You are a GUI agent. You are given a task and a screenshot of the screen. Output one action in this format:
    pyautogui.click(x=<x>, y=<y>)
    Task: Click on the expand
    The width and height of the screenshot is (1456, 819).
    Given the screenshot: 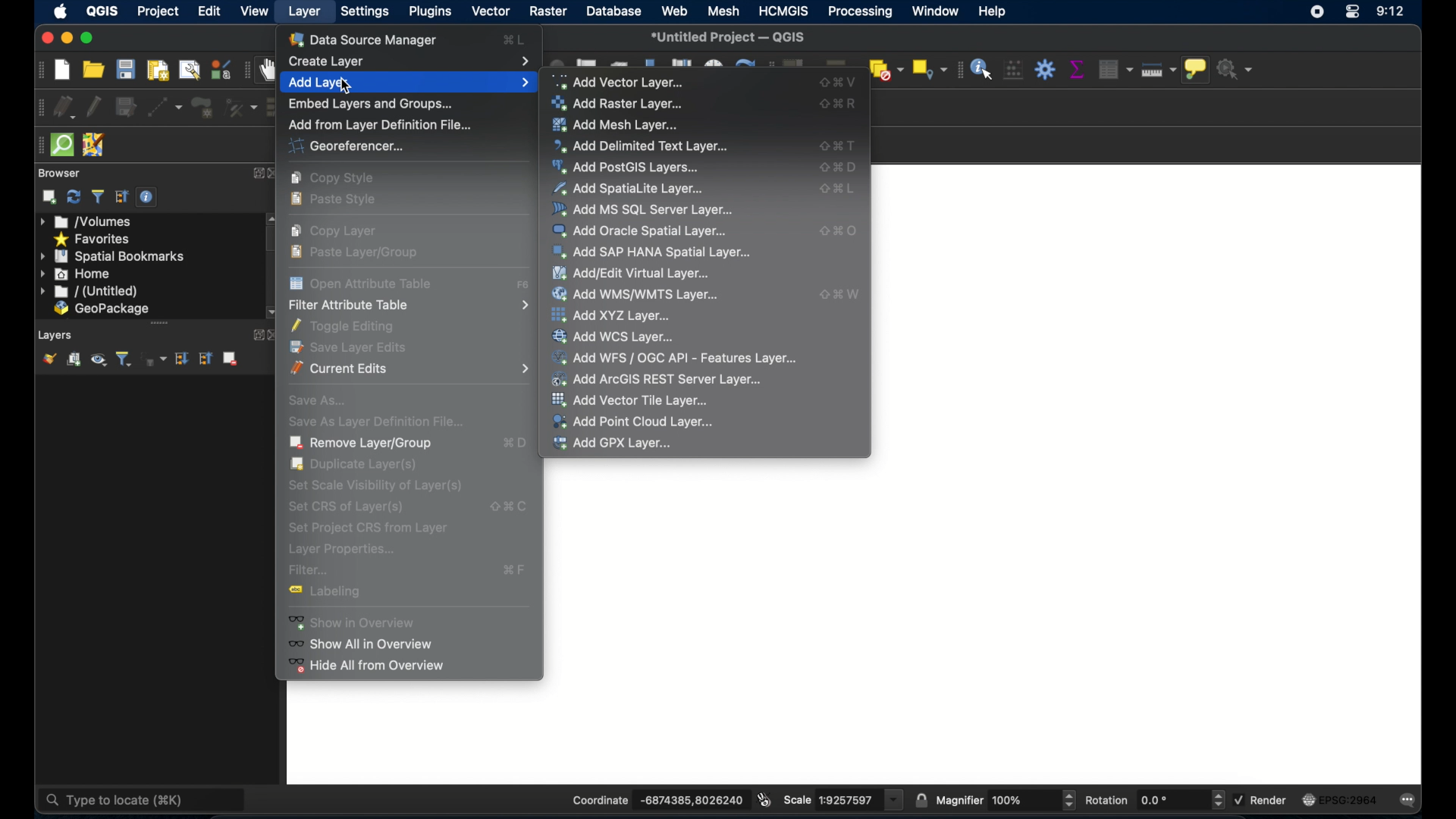 What is the action you would take?
    pyautogui.click(x=256, y=334)
    